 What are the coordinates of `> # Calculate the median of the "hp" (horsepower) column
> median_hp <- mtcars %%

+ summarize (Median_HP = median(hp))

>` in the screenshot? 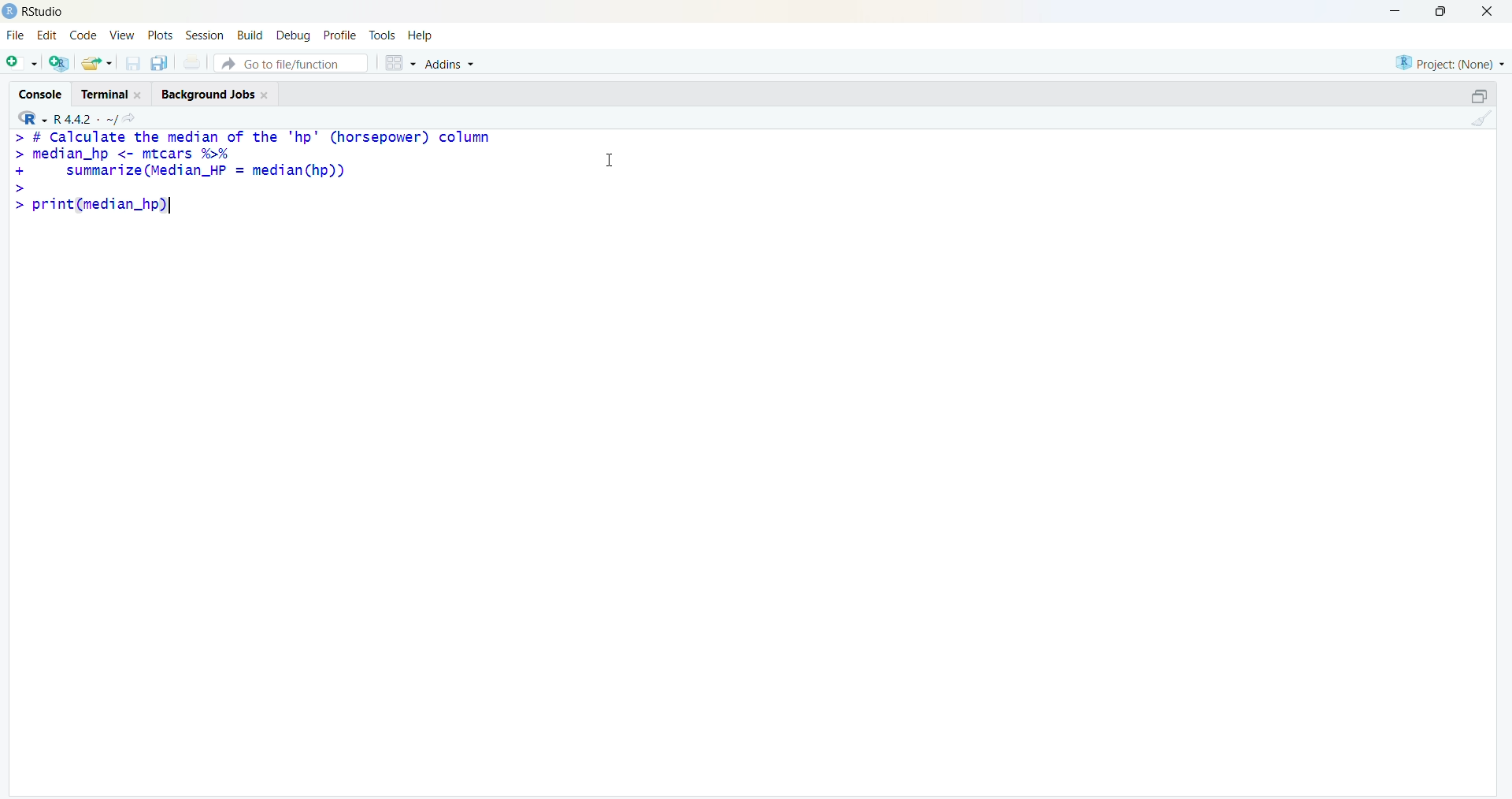 It's located at (254, 162).